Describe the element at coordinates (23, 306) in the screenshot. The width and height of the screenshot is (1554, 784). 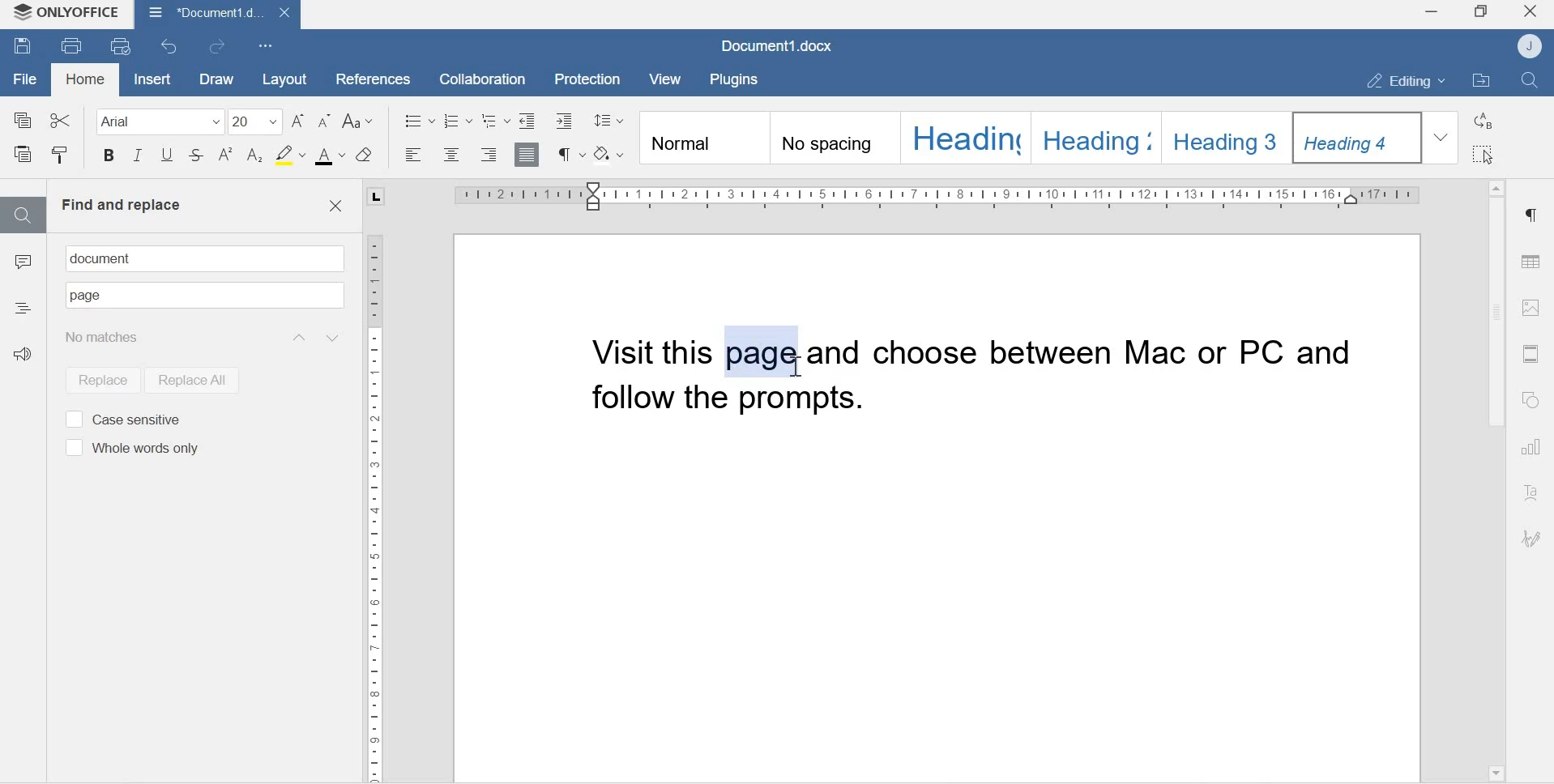
I see `Headings` at that location.